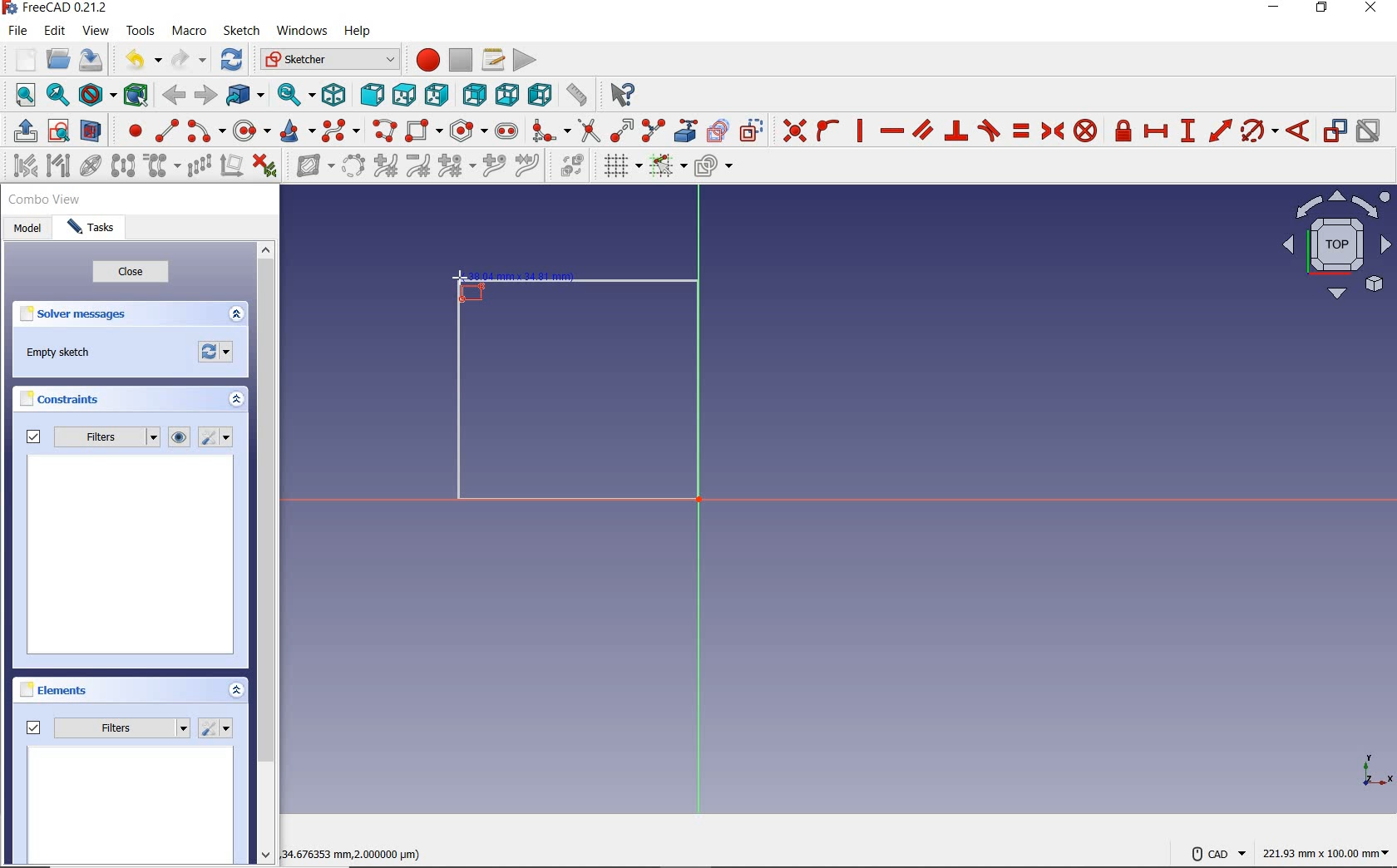 The image size is (1397, 868). I want to click on toggle snap, so click(667, 167).